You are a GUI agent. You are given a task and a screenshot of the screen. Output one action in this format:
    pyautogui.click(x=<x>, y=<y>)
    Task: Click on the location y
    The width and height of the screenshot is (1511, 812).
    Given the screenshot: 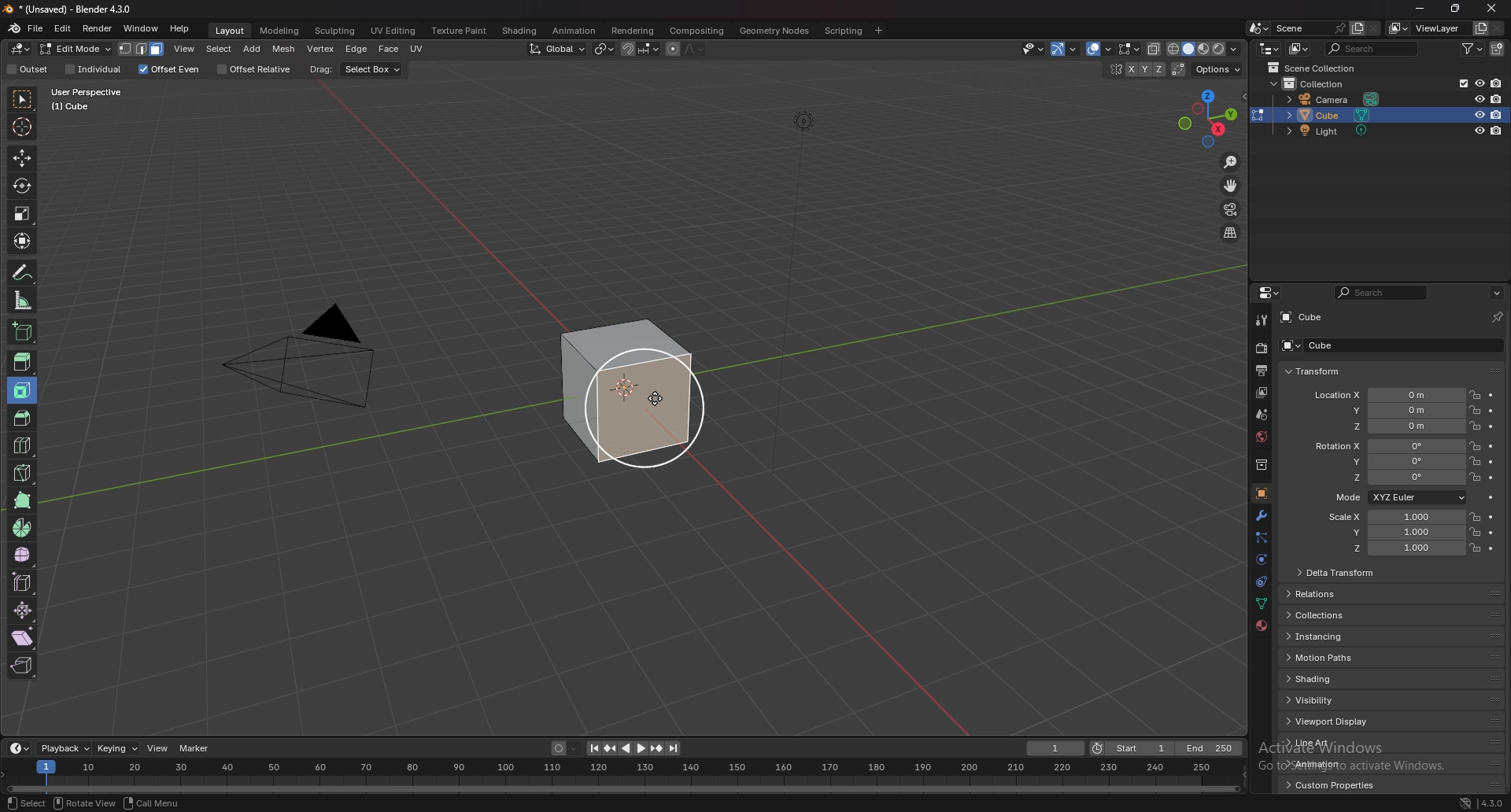 What is the action you would take?
    pyautogui.click(x=1388, y=411)
    